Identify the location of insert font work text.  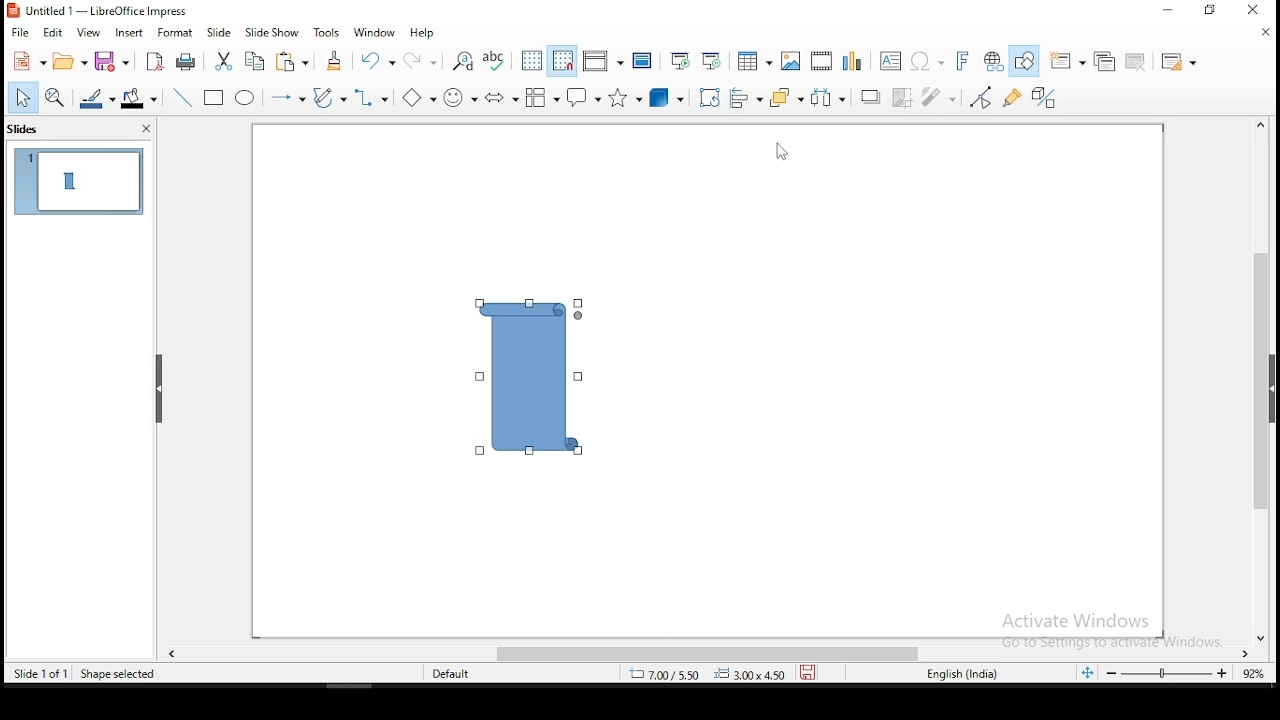
(963, 61).